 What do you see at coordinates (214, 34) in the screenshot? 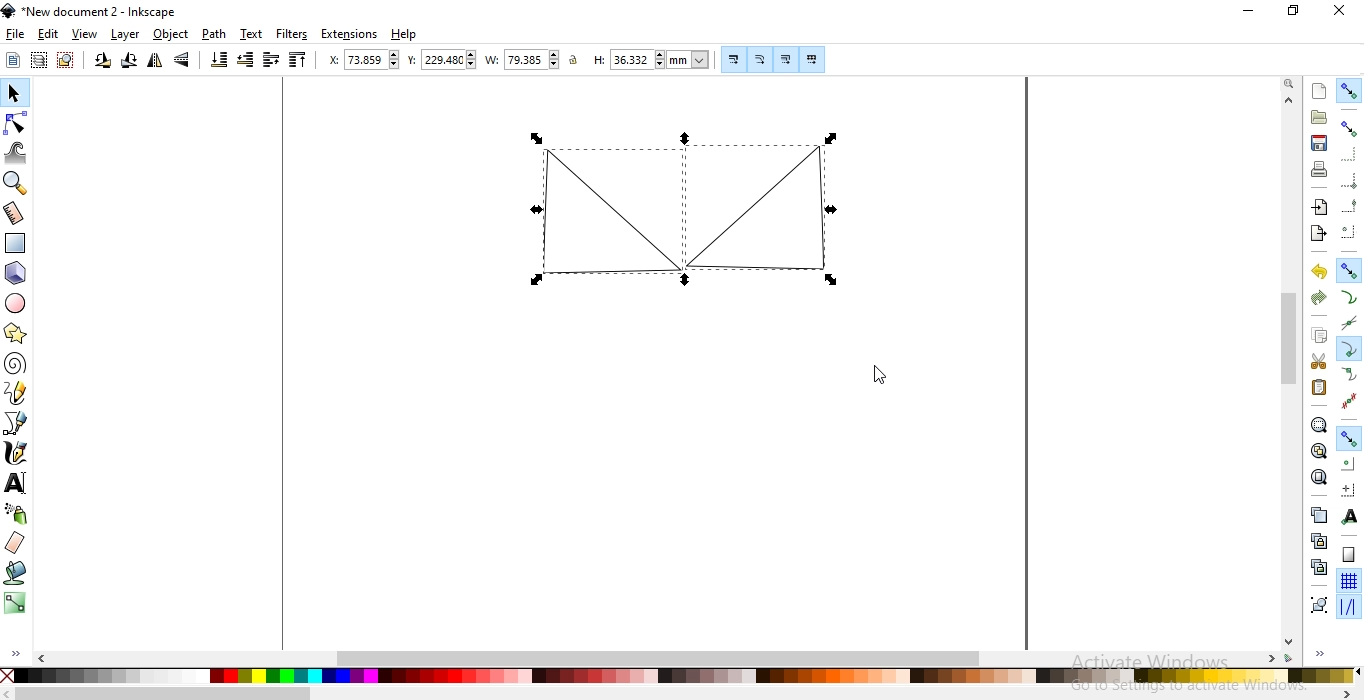
I see `path` at bounding box center [214, 34].